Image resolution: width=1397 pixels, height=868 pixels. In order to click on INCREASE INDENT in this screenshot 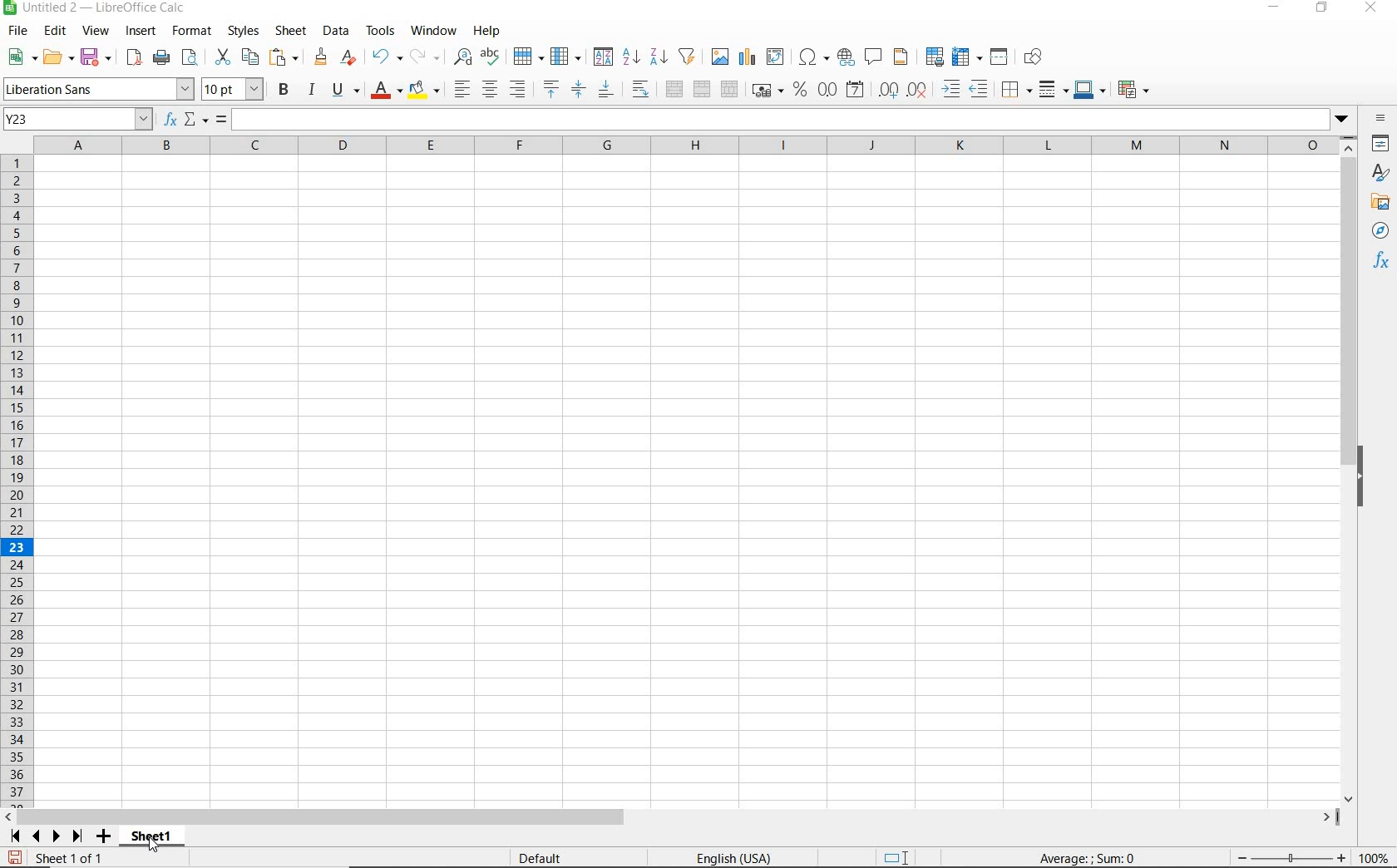, I will do `click(951, 91)`.